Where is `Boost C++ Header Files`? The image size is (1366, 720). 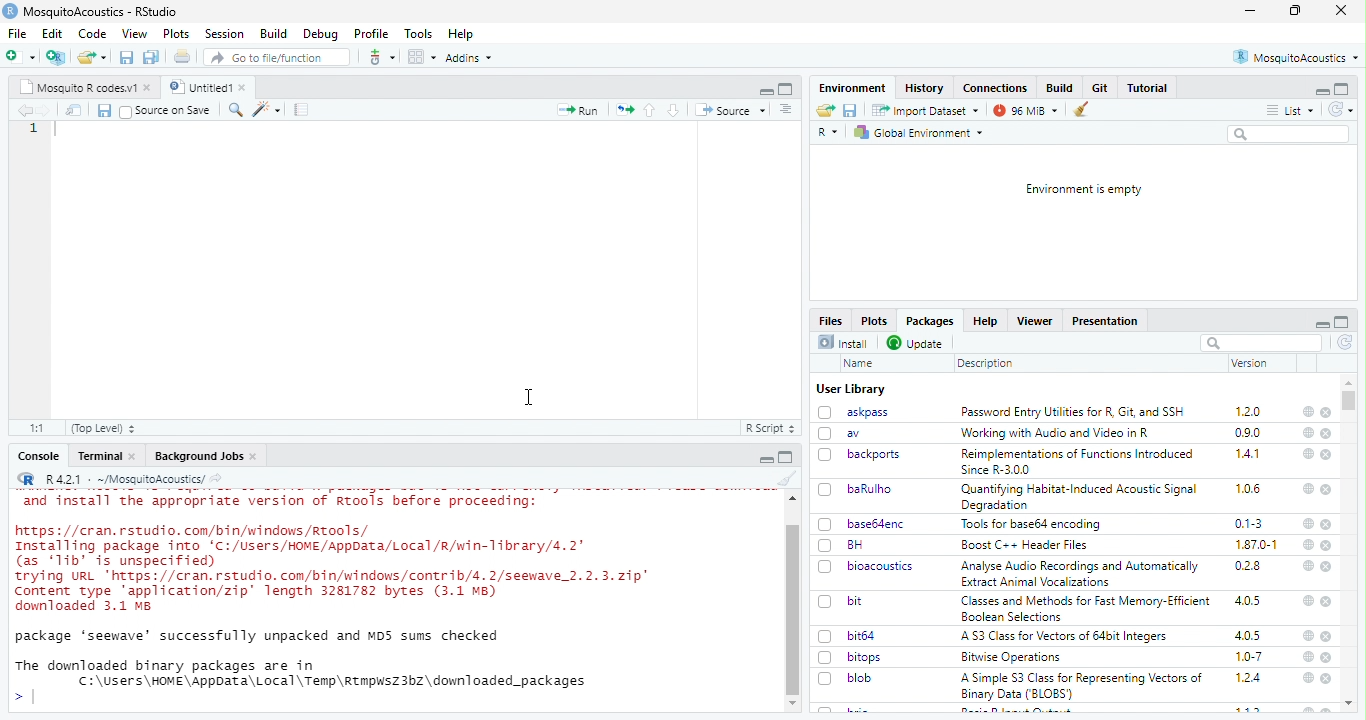 Boost C++ Header Files is located at coordinates (1030, 545).